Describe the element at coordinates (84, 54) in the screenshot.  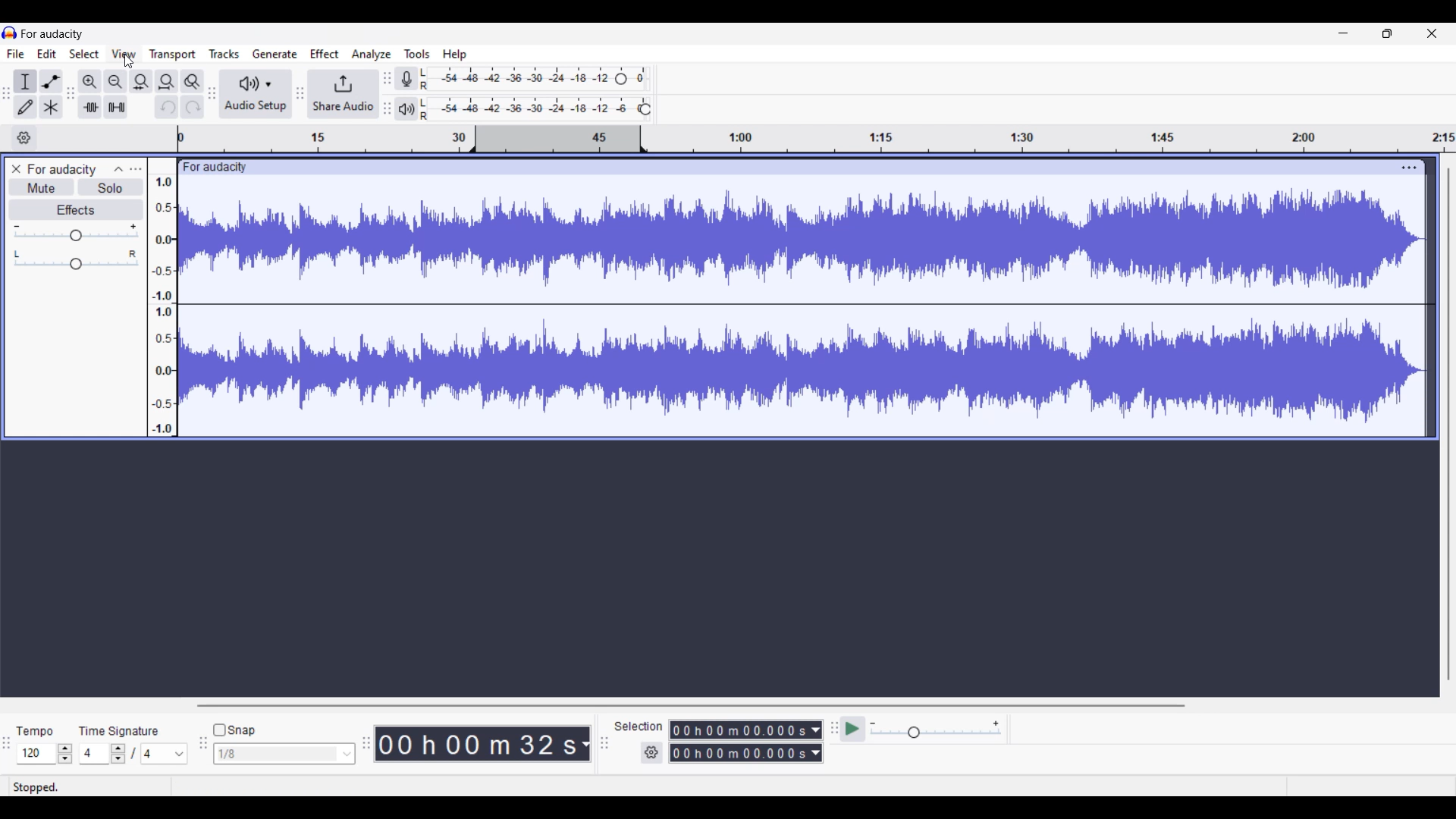
I see `Select menu` at that location.